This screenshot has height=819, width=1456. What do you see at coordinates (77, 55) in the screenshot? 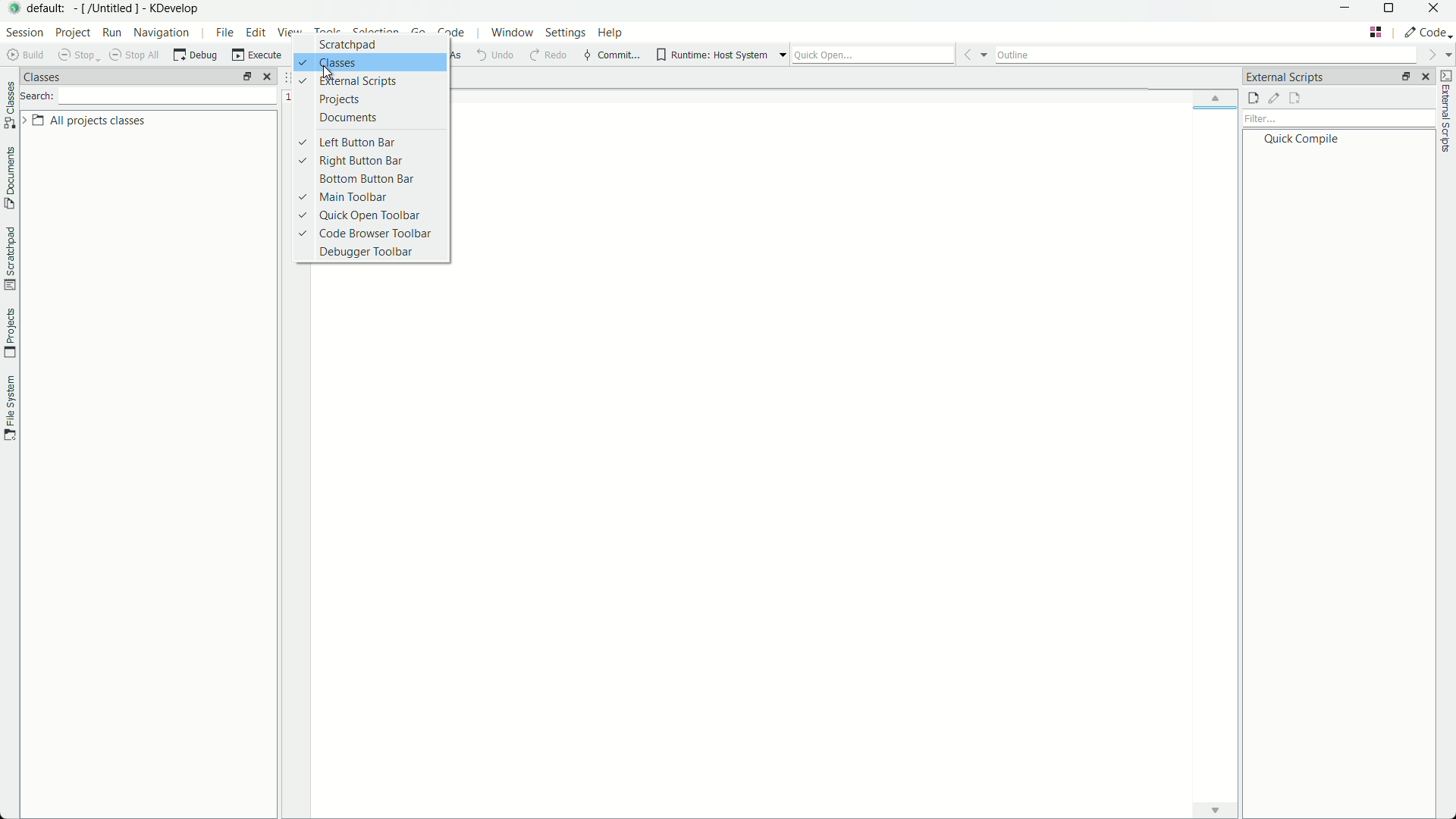
I see `stop` at bounding box center [77, 55].